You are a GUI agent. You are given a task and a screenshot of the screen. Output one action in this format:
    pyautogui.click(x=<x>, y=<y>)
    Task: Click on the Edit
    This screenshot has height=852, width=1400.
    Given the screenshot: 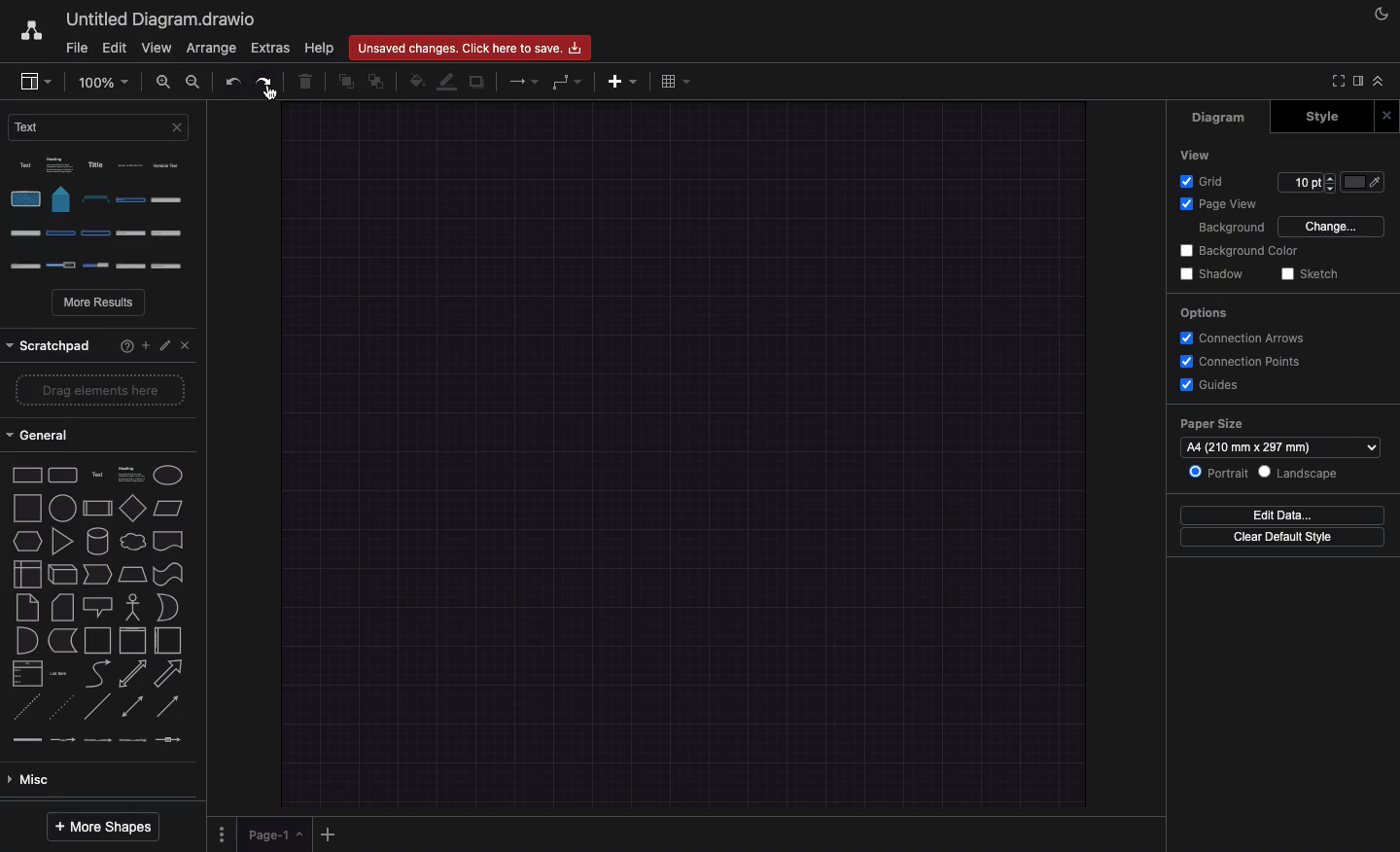 What is the action you would take?
    pyautogui.click(x=164, y=341)
    